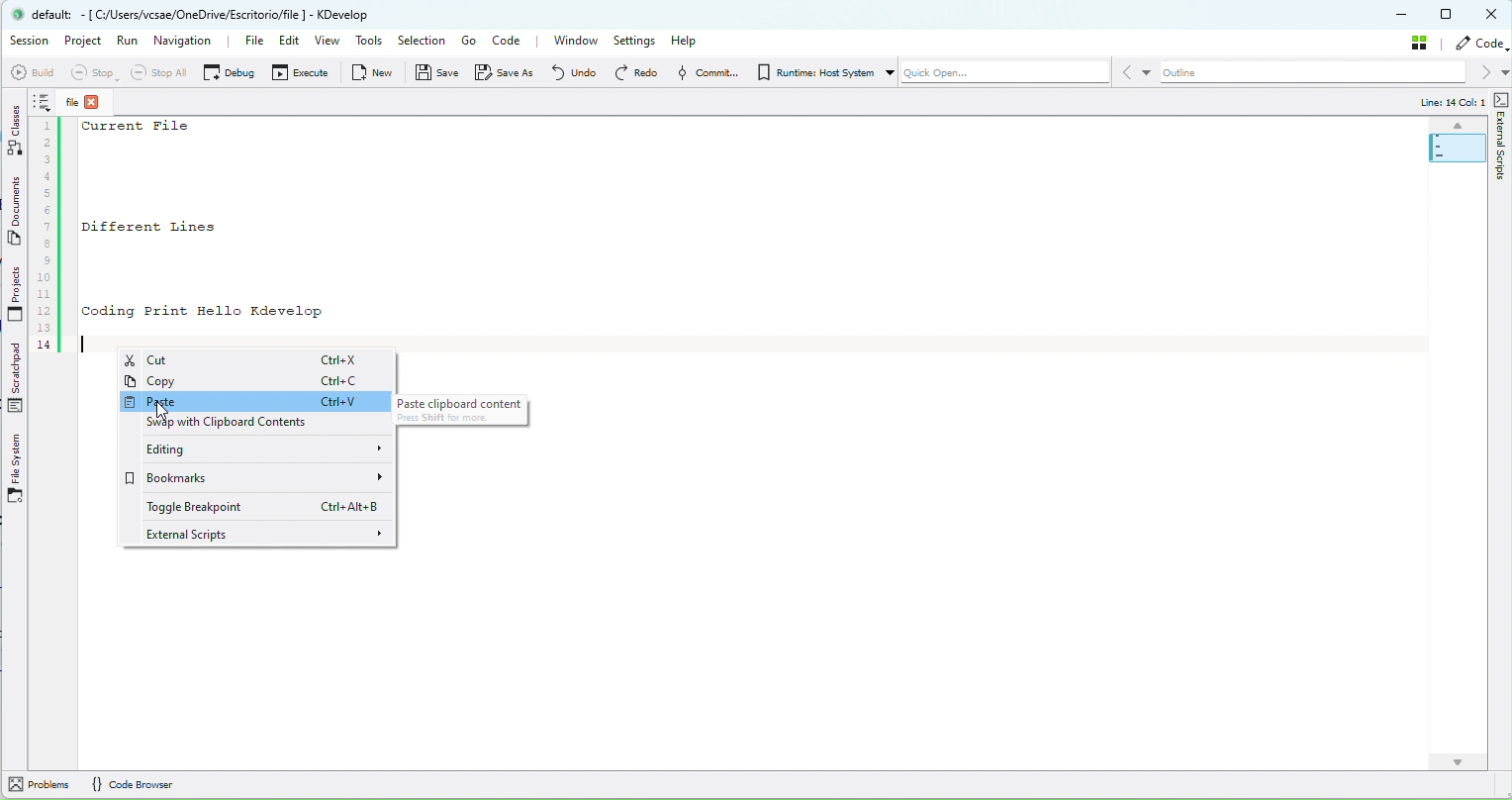 The image size is (1512, 800). What do you see at coordinates (91, 102) in the screenshot?
I see `File close` at bounding box center [91, 102].